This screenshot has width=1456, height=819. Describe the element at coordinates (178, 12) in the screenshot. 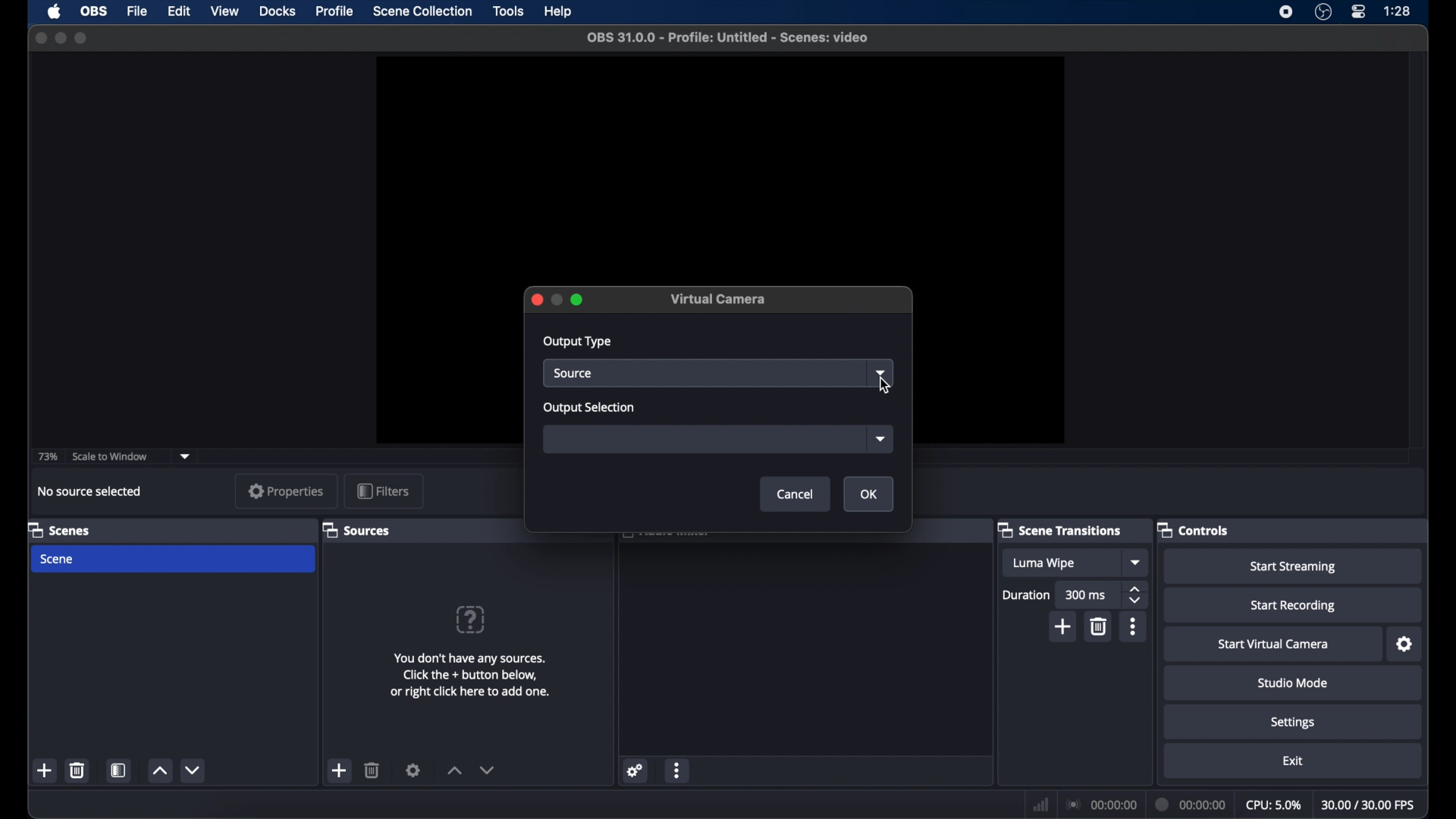

I see `edit` at that location.